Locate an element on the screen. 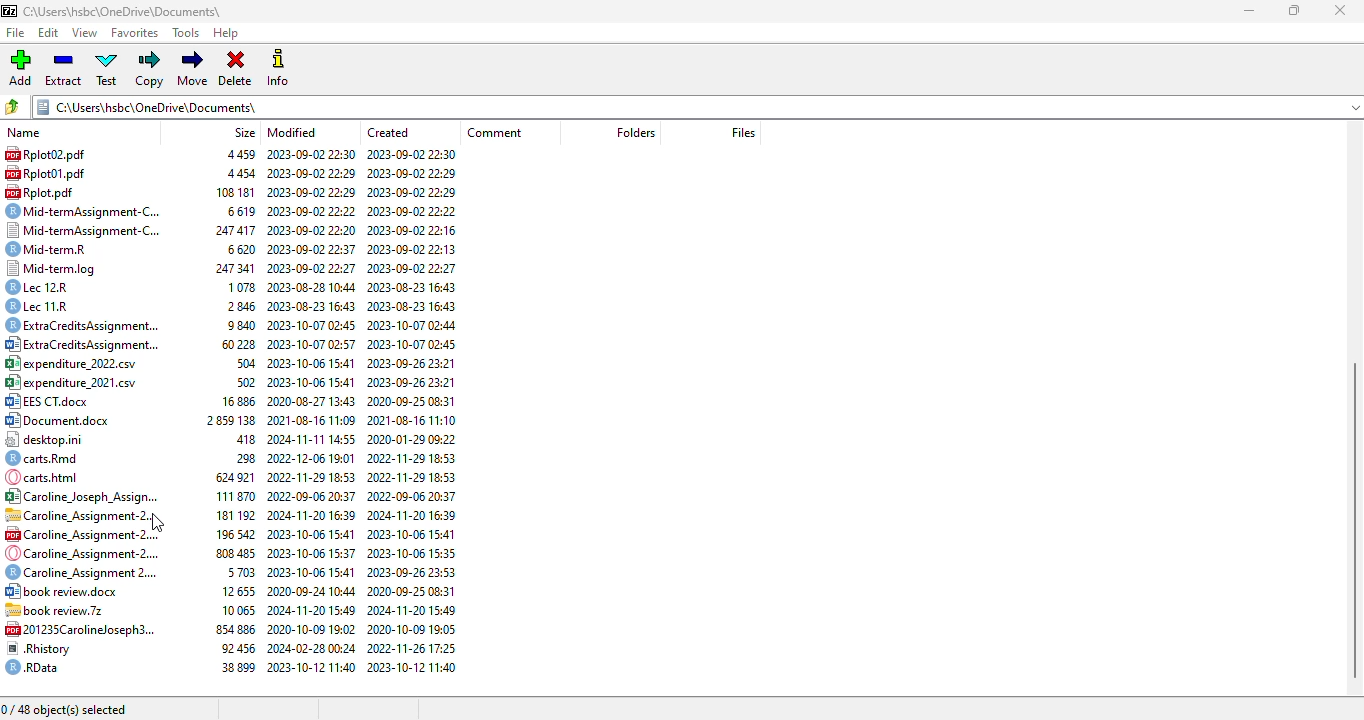 The image size is (1364, 720). 2023-09-02 22:29 is located at coordinates (311, 173).